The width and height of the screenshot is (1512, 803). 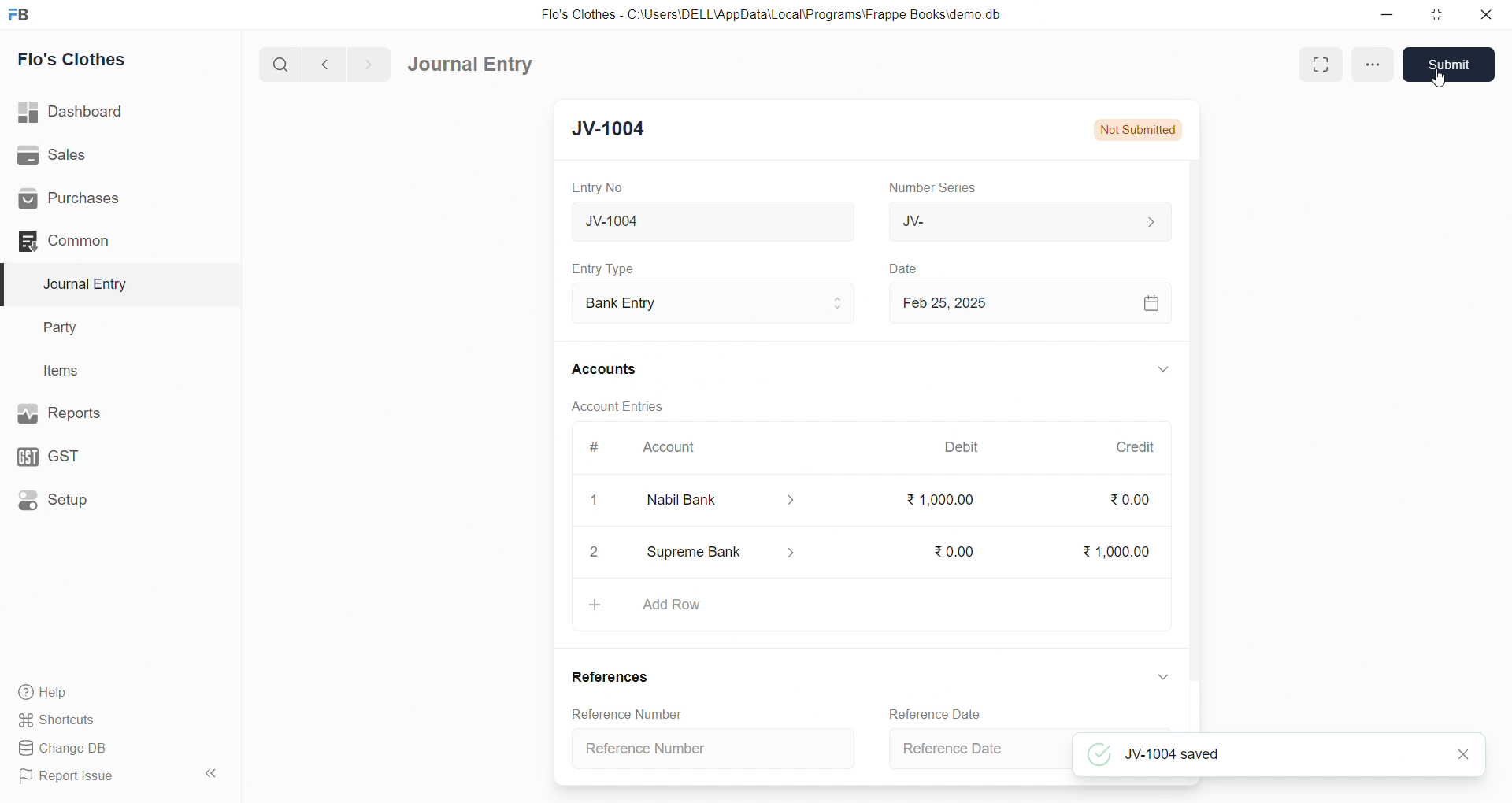 What do you see at coordinates (941, 499) in the screenshot?
I see `₹ 1000.00` at bounding box center [941, 499].